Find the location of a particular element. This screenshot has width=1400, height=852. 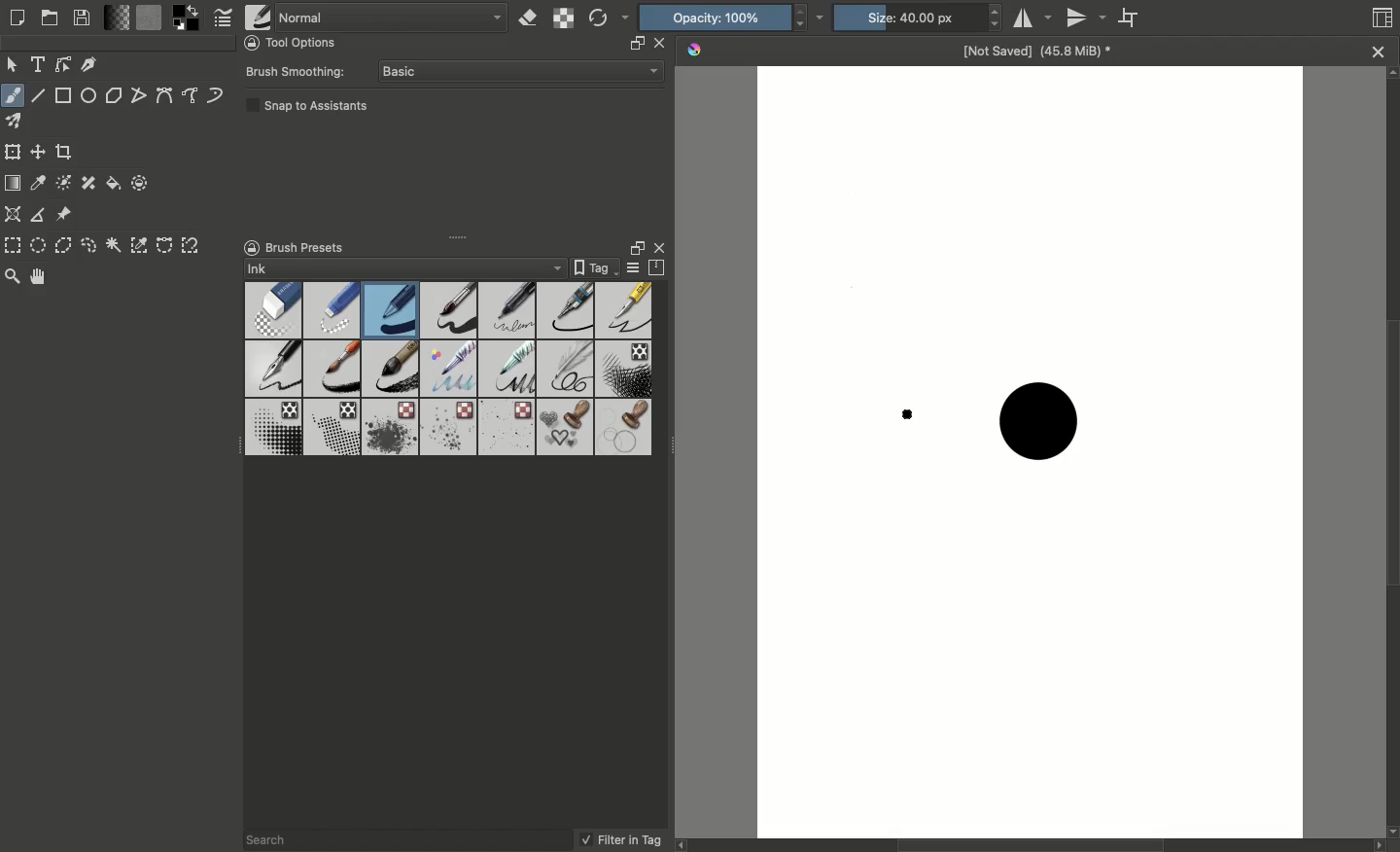

Multibrush tool is located at coordinates (20, 124).